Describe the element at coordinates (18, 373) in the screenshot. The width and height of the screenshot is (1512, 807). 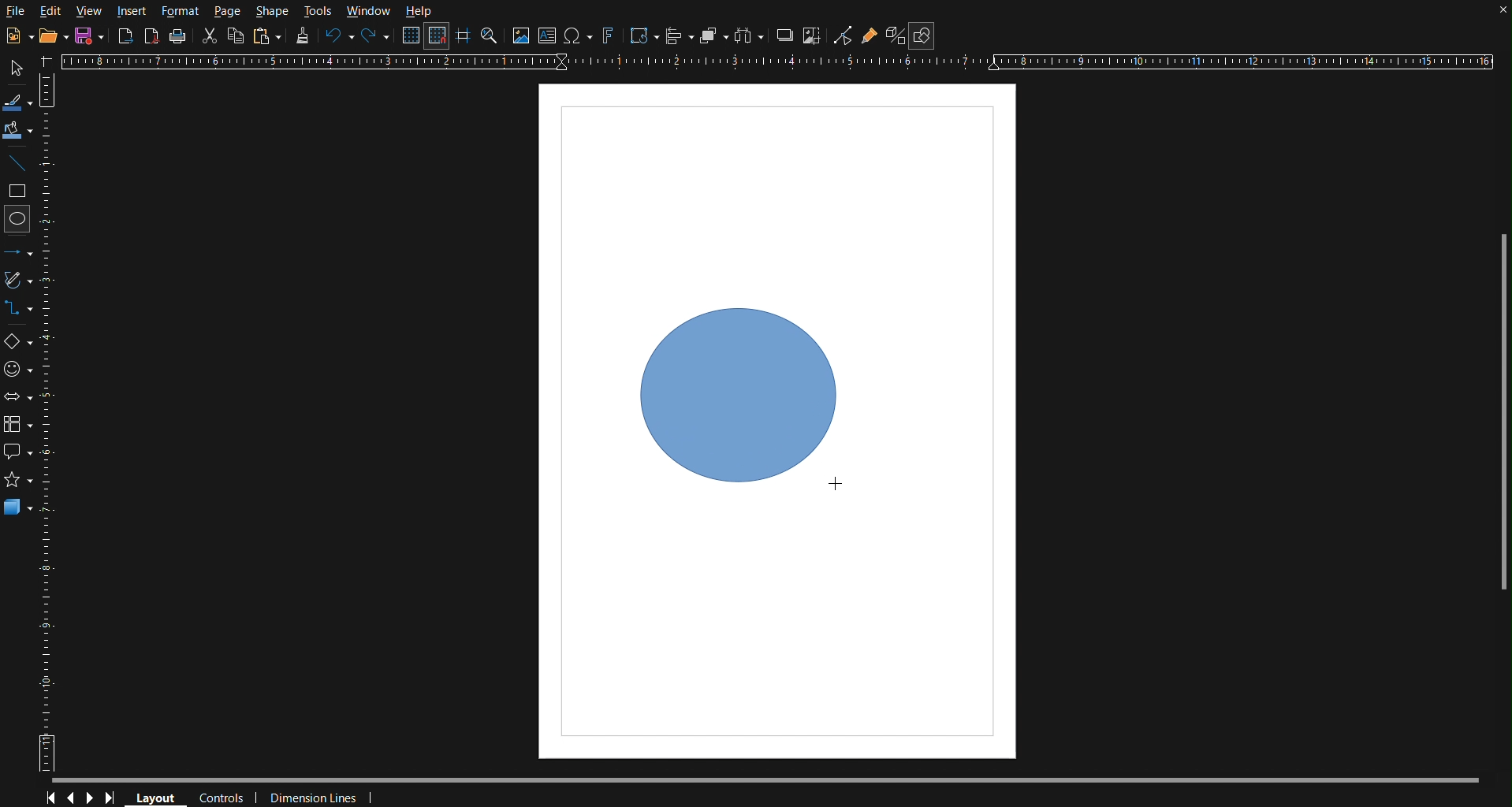
I see `Symbol Shapes` at that location.